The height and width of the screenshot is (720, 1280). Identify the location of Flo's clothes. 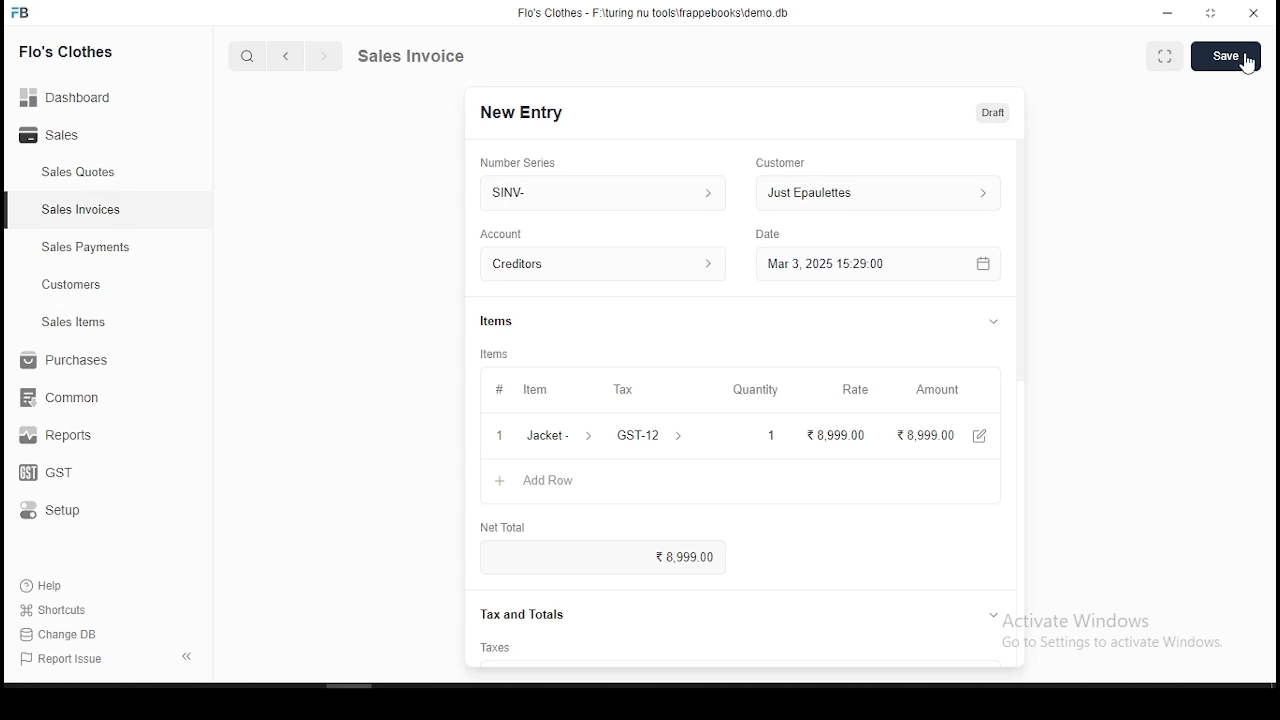
(82, 53).